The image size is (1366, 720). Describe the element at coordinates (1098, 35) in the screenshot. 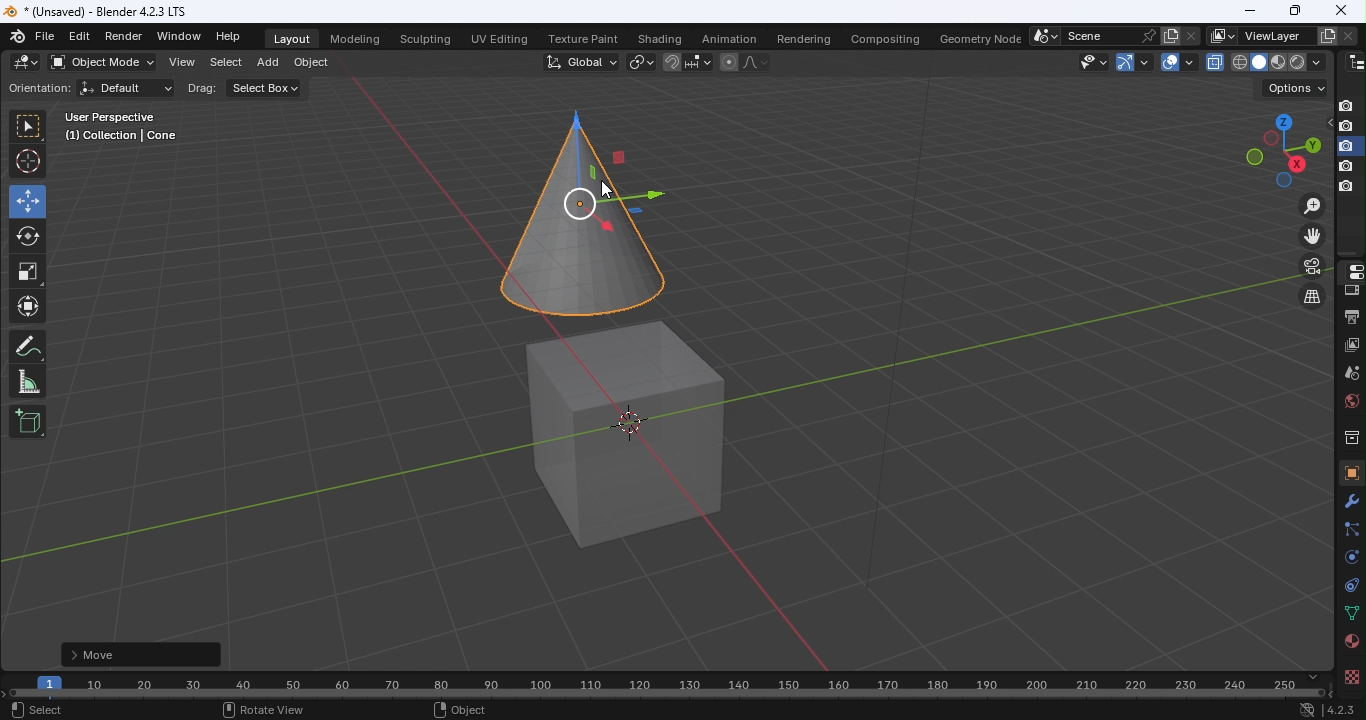

I see `Name` at that location.